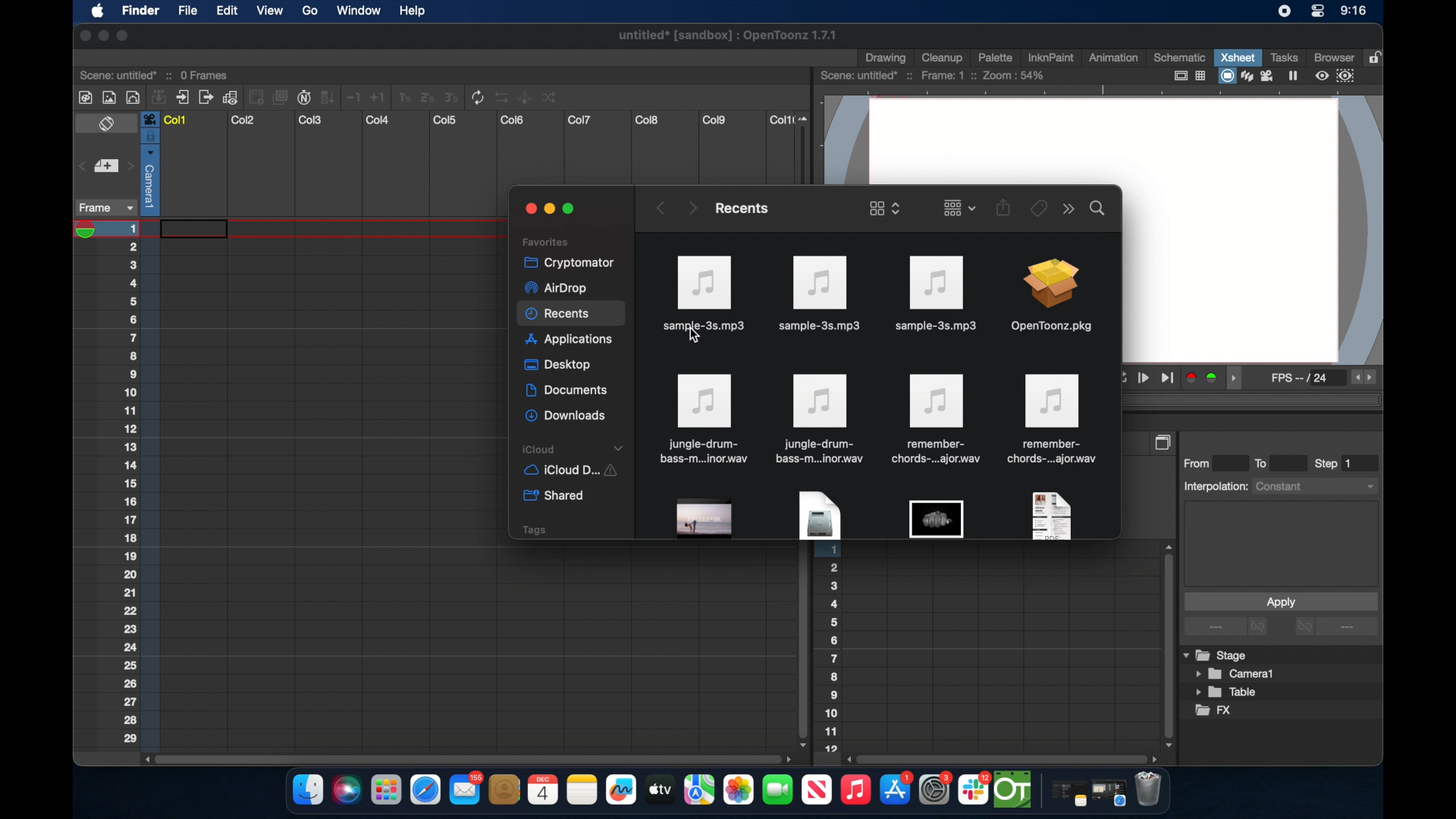 The height and width of the screenshot is (819, 1456). Describe the element at coordinates (140, 483) in the screenshot. I see `numbering` at that location.